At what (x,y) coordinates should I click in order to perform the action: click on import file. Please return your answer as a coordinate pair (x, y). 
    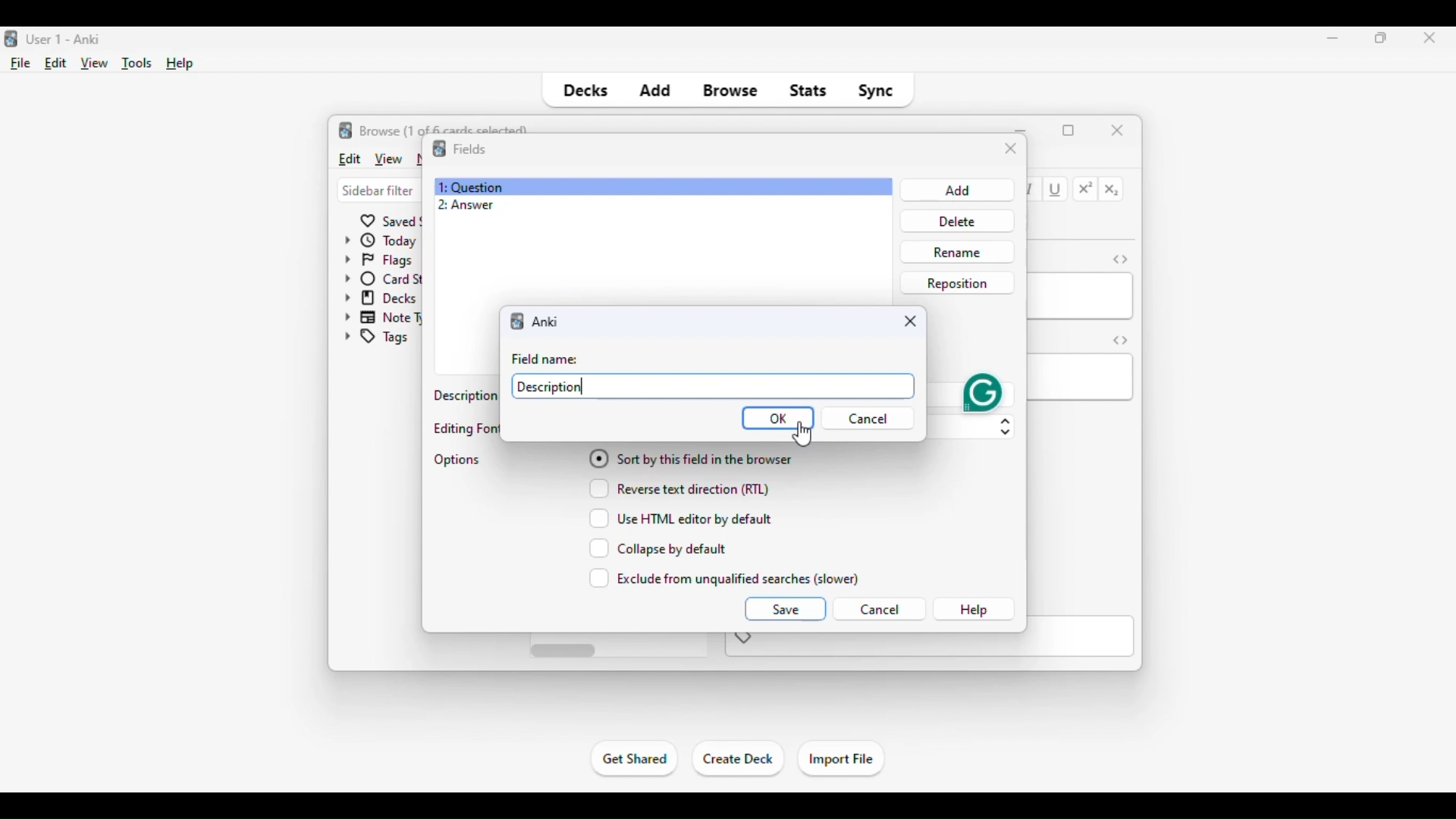
    Looking at the image, I should click on (840, 760).